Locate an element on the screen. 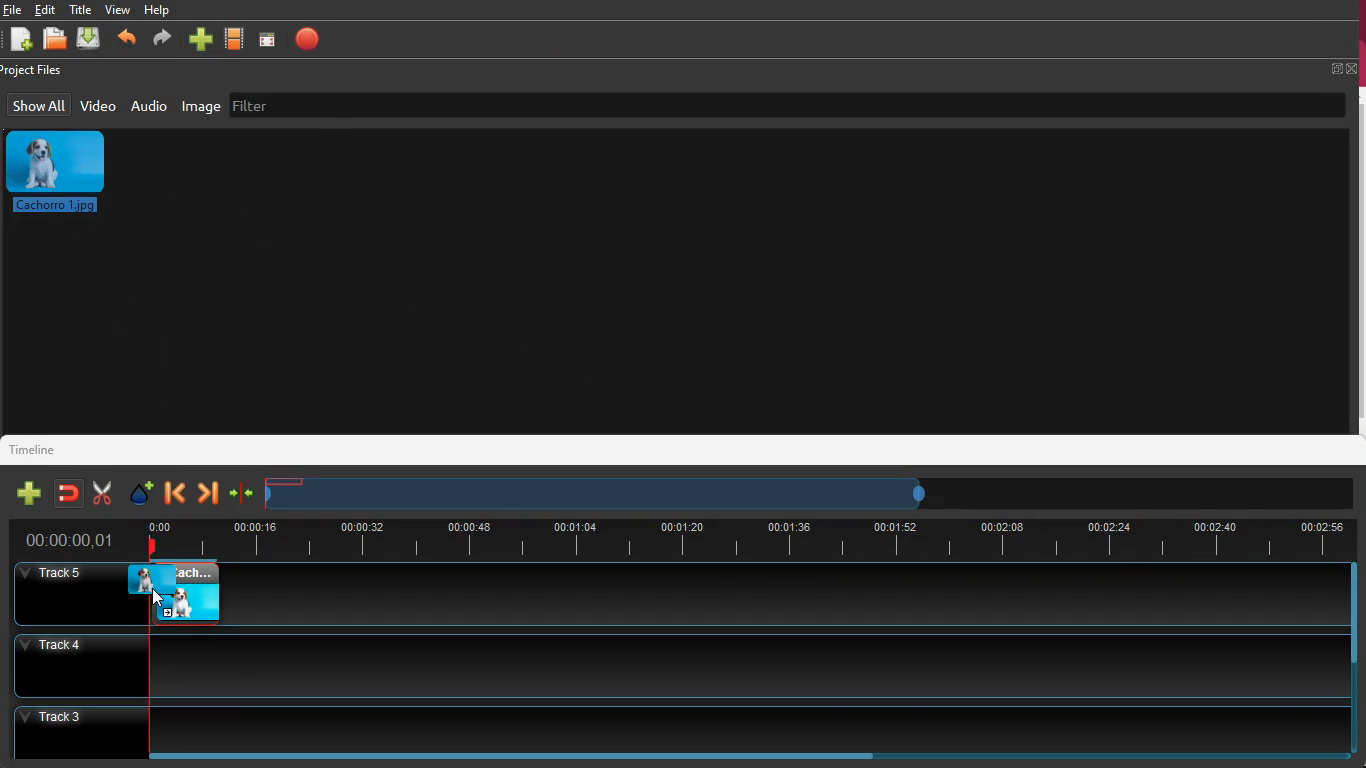 This screenshot has width=1366, height=768. stop is located at coordinates (312, 38).